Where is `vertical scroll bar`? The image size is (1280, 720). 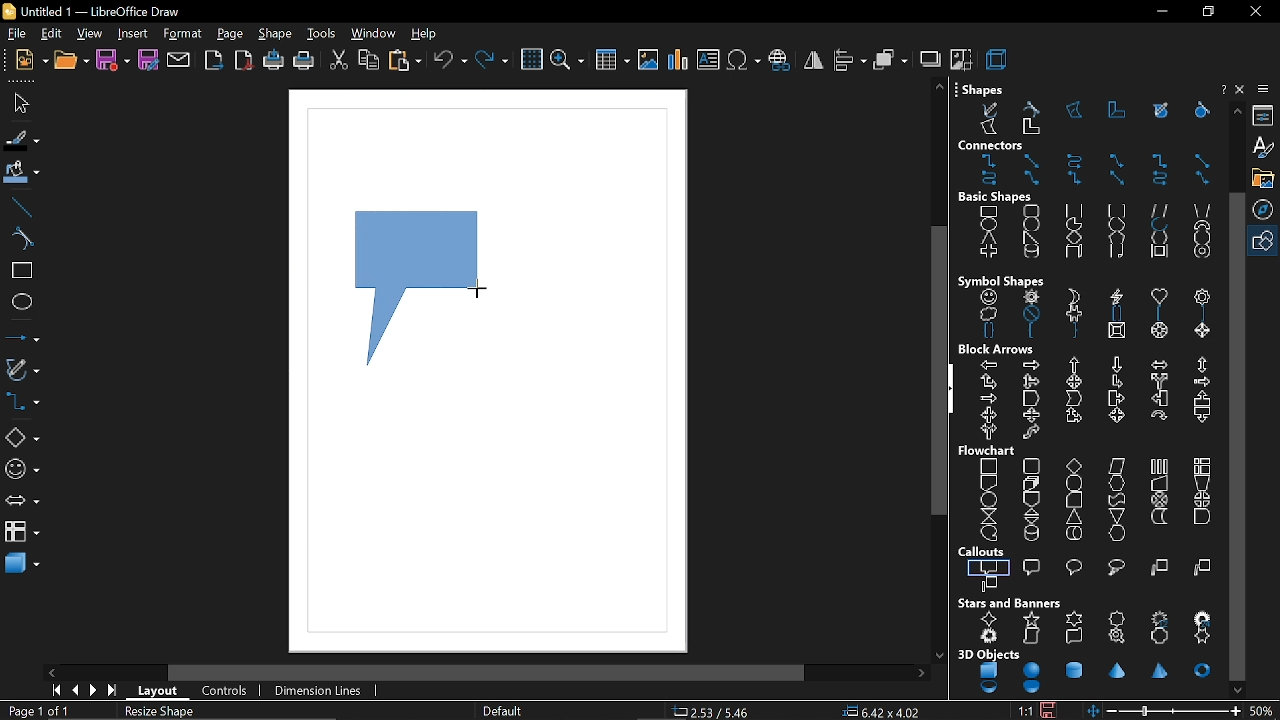
vertical scroll bar is located at coordinates (939, 372).